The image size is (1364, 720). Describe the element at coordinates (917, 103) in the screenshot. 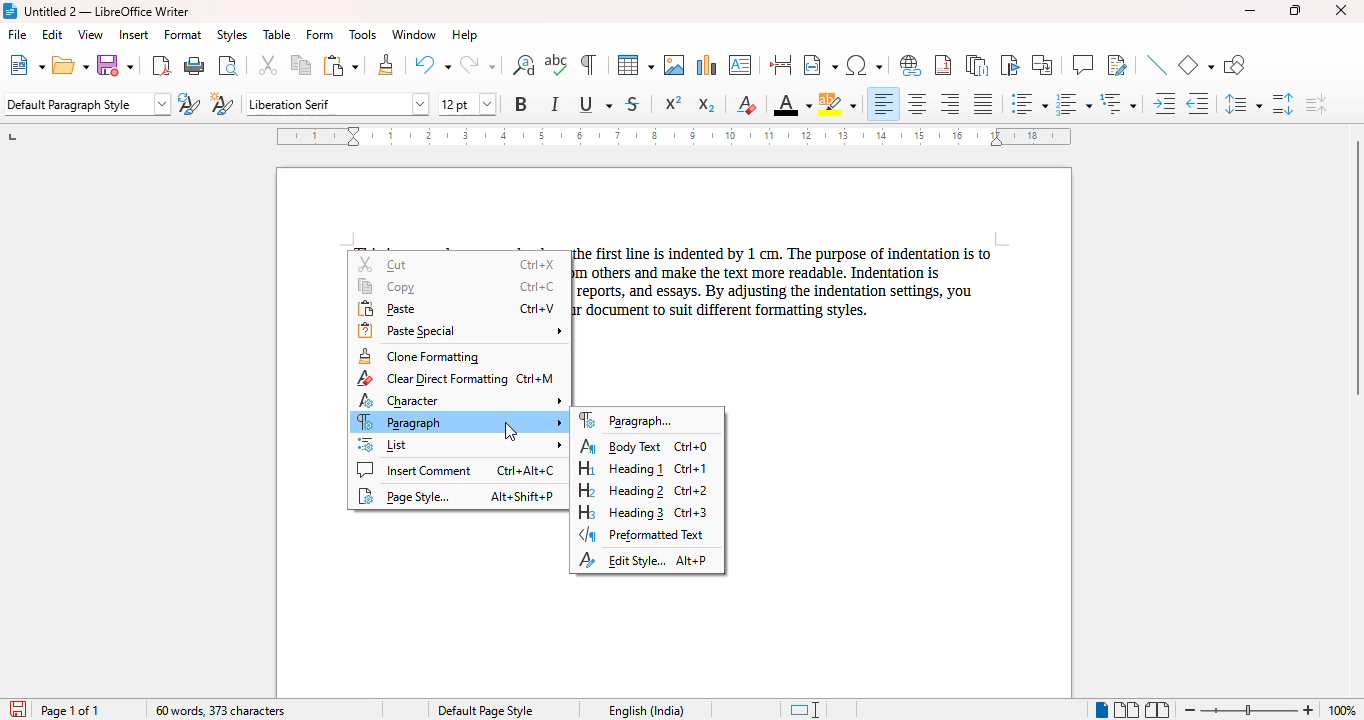

I see `align center` at that location.